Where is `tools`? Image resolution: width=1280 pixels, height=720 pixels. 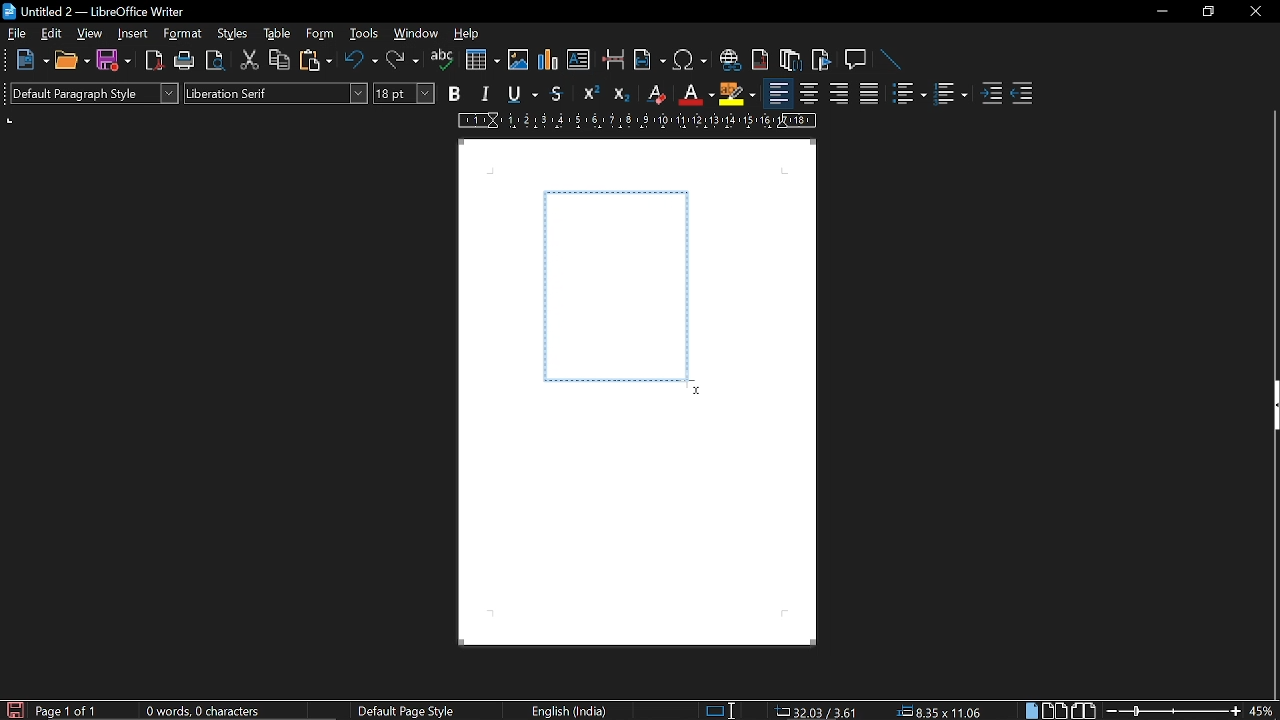 tools is located at coordinates (362, 35).